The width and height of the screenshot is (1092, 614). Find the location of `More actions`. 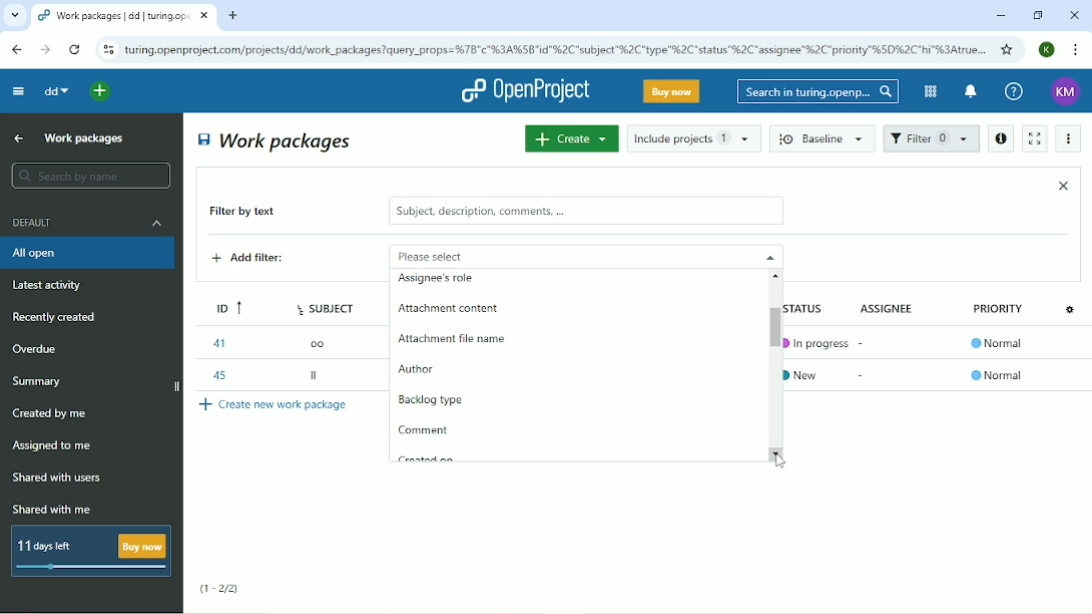

More actions is located at coordinates (1070, 139).